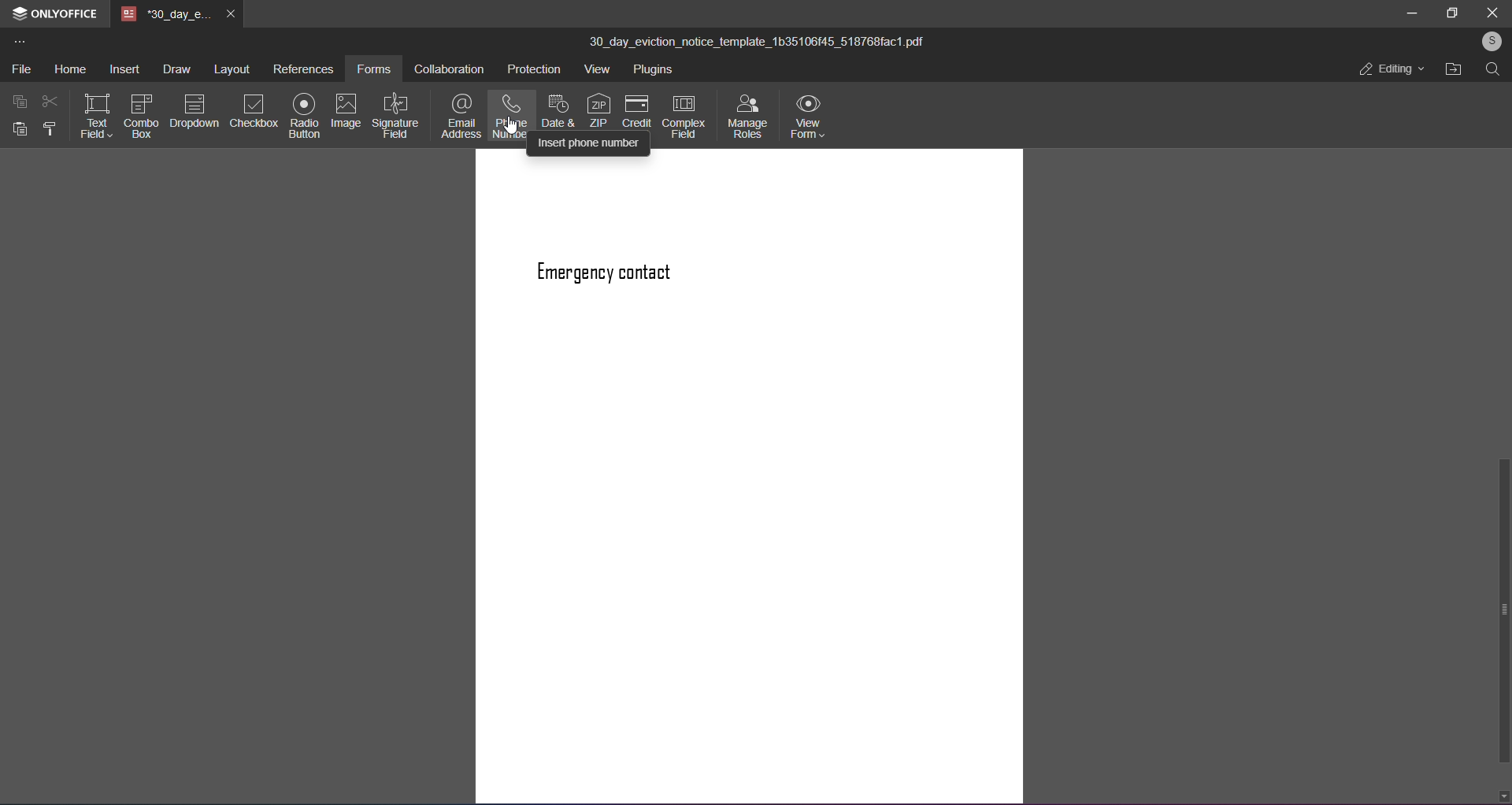 Image resolution: width=1512 pixels, height=805 pixels. Describe the element at coordinates (451, 70) in the screenshot. I see `collaboration` at that location.